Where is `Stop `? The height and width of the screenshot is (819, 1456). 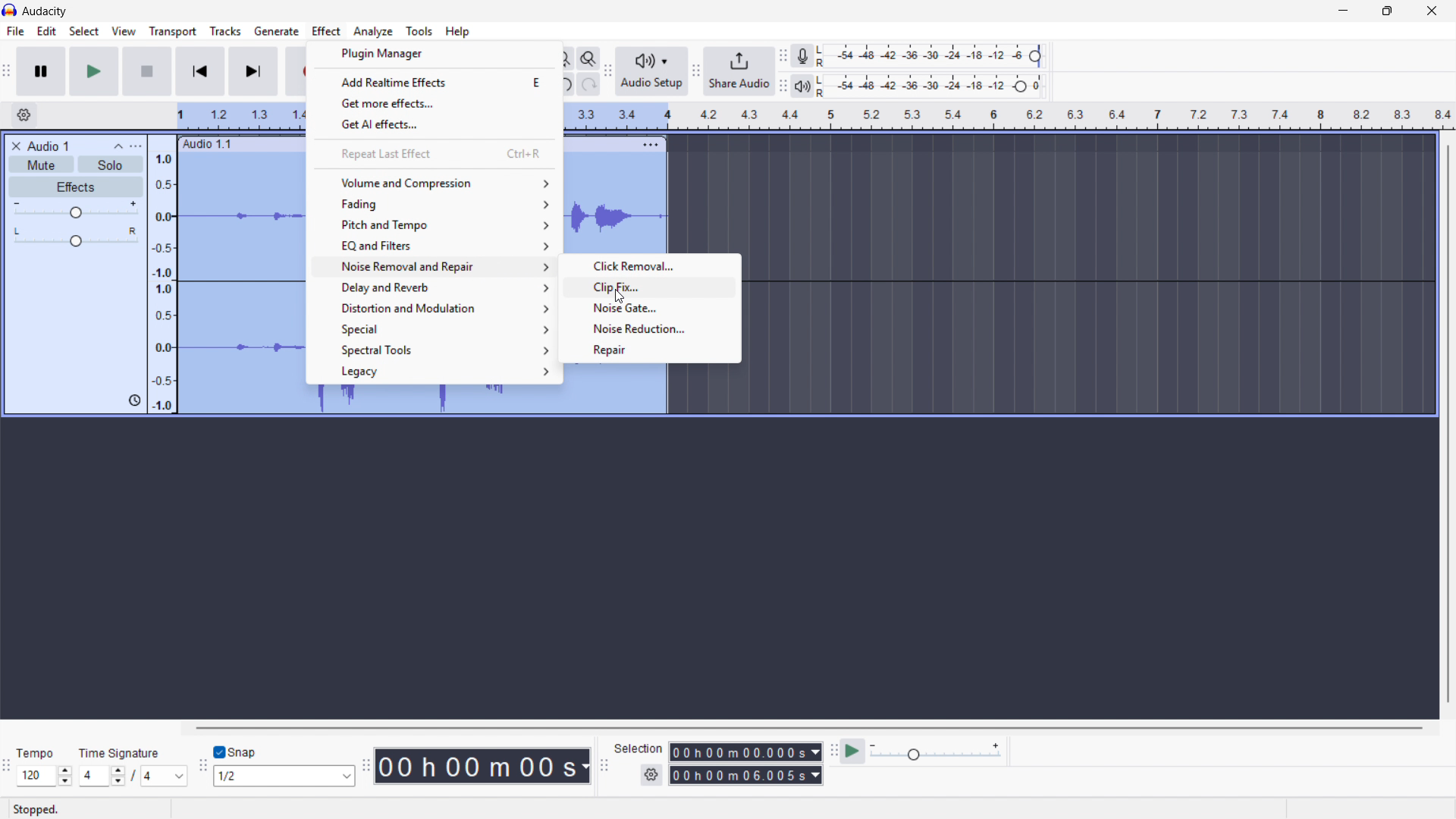
Stop  is located at coordinates (147, 71).